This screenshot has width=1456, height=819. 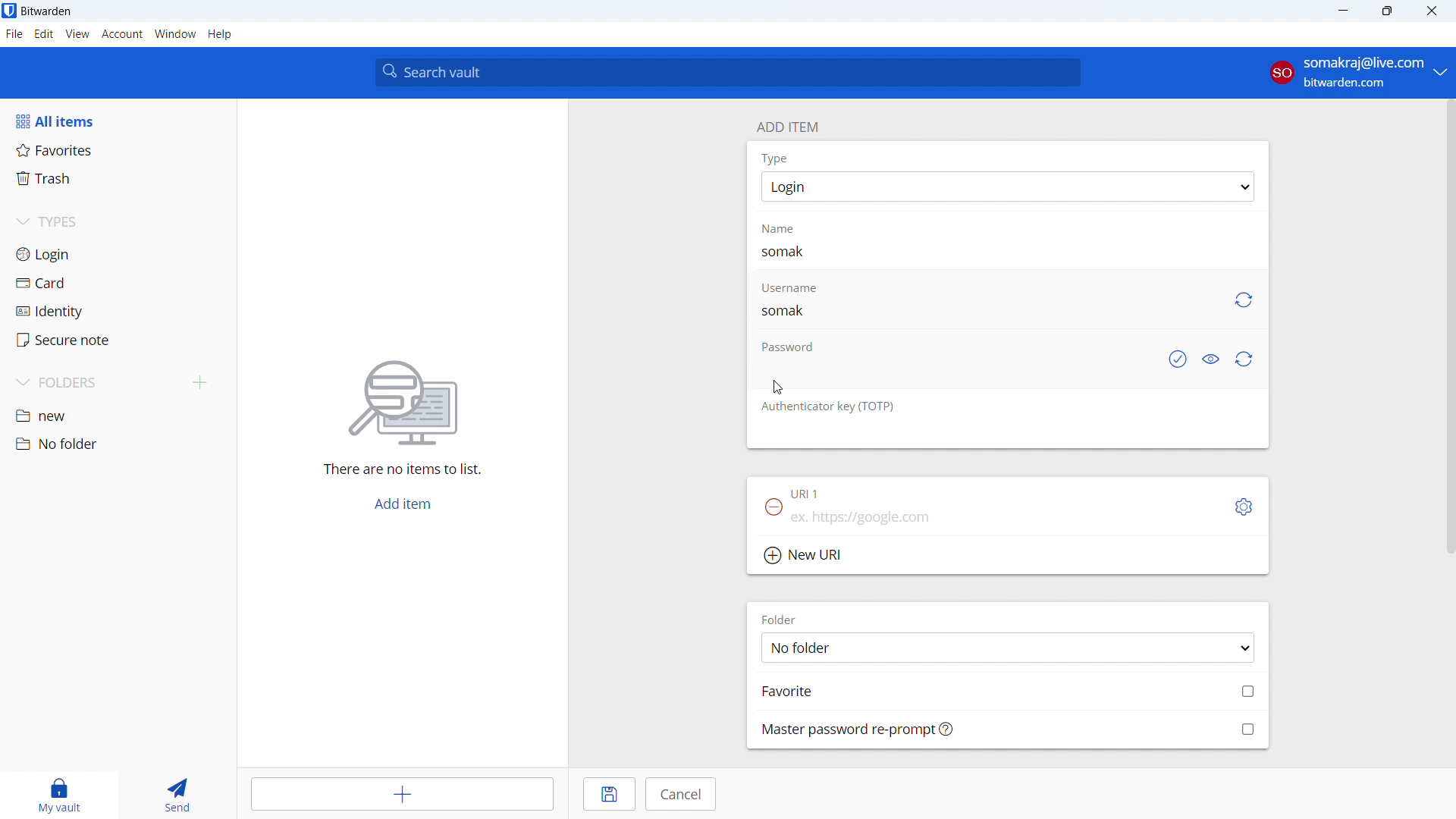 What do you see at coordinates (77, 34) in the screenshot?
I see `view` at bounding box center [77, 34].